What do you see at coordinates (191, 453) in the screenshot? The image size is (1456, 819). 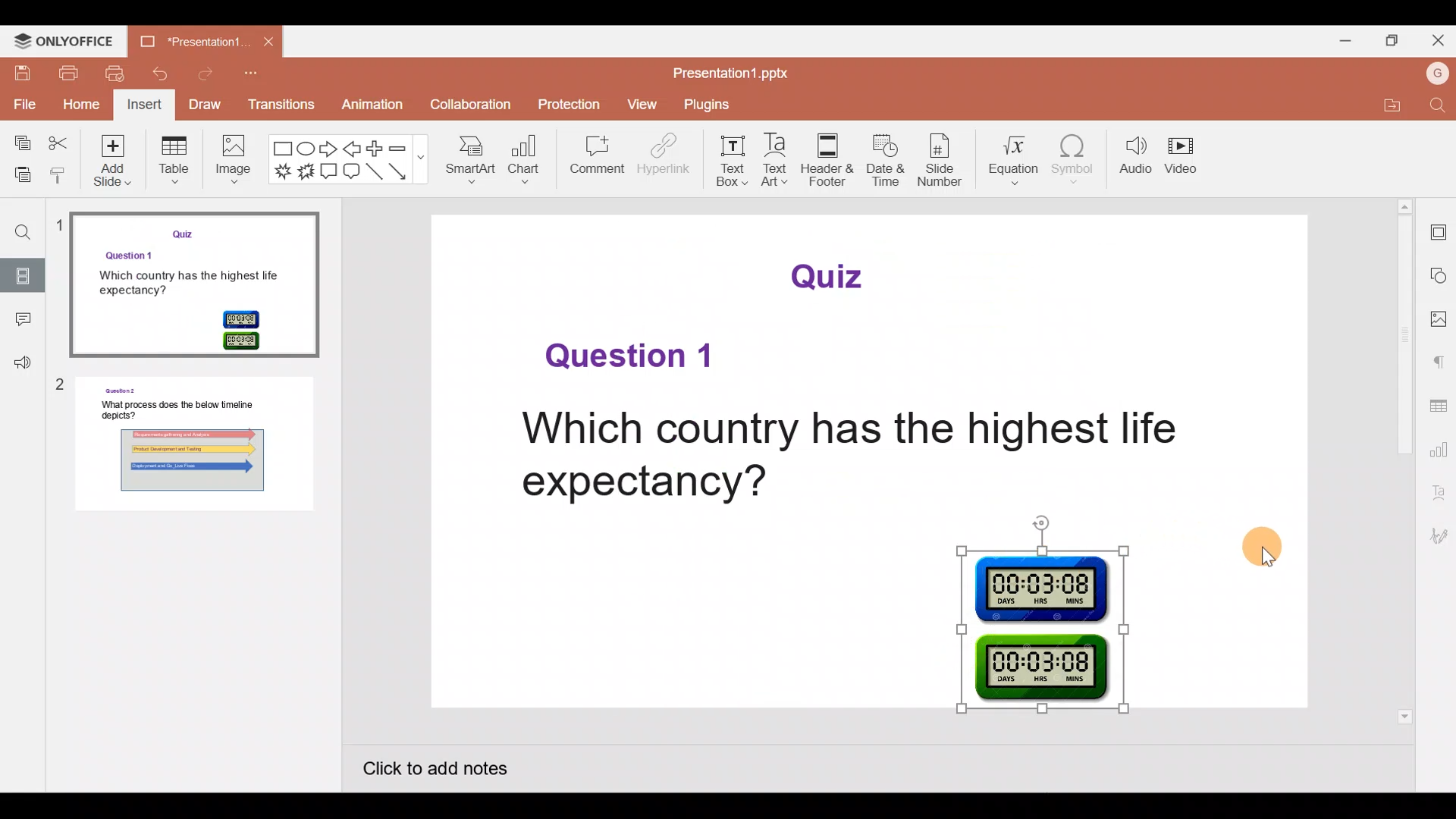 I see `Slide 2 preview` at bounding box center [191, 453].